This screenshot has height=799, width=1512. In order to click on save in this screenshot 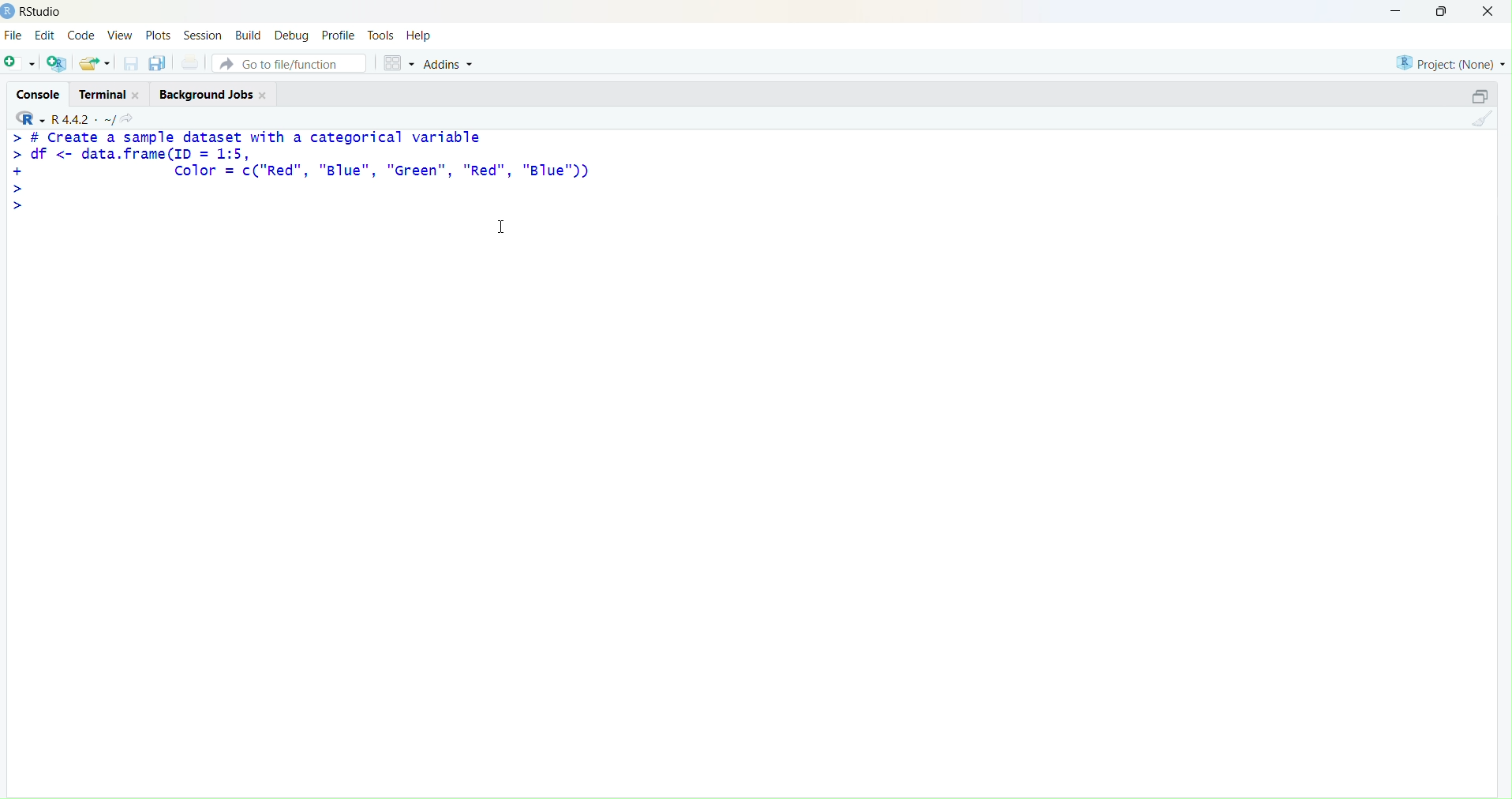, I will do `click(133, 63)`.